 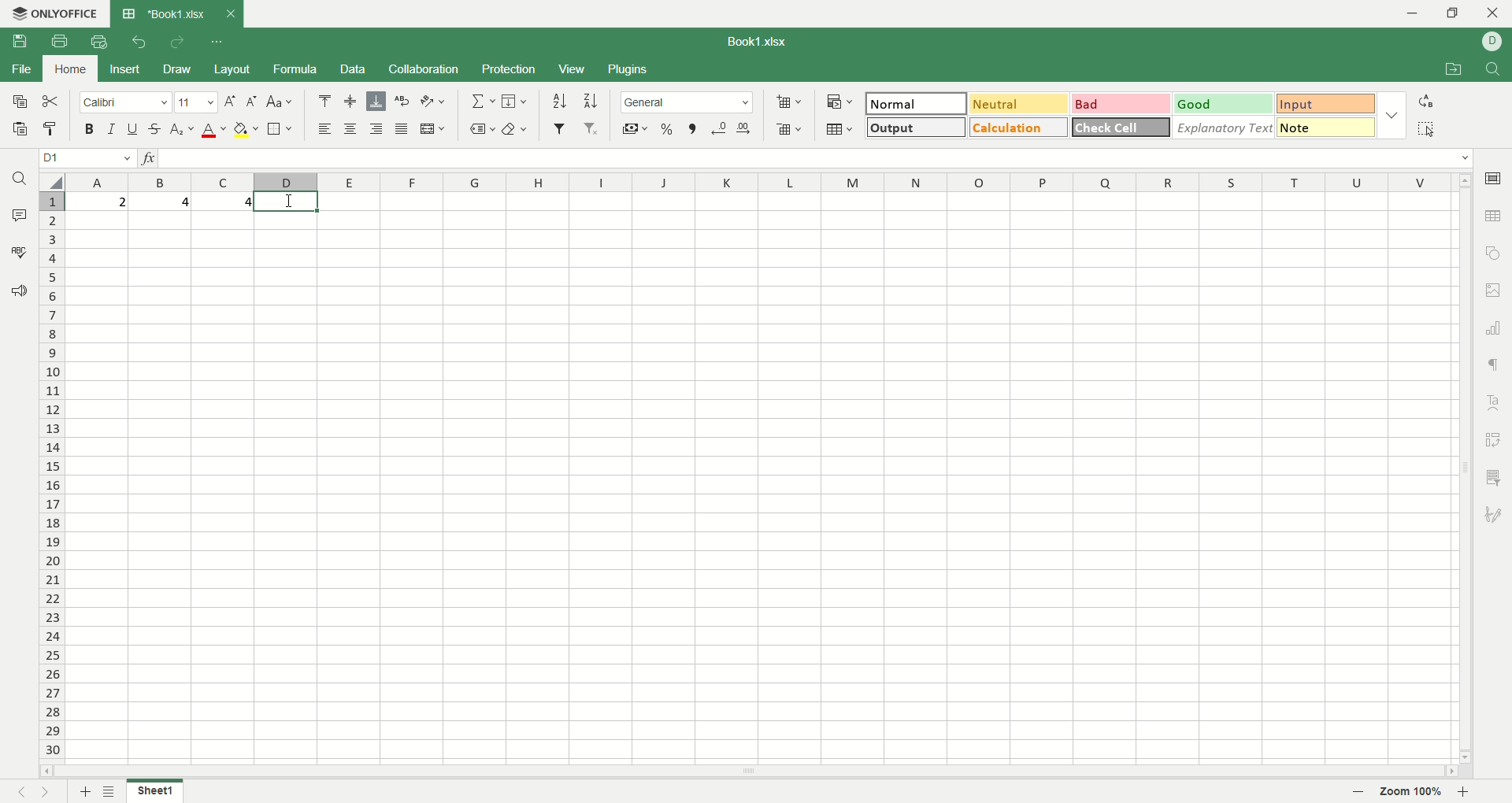 I want to click on text art settings, so click(x=1495, y=401).